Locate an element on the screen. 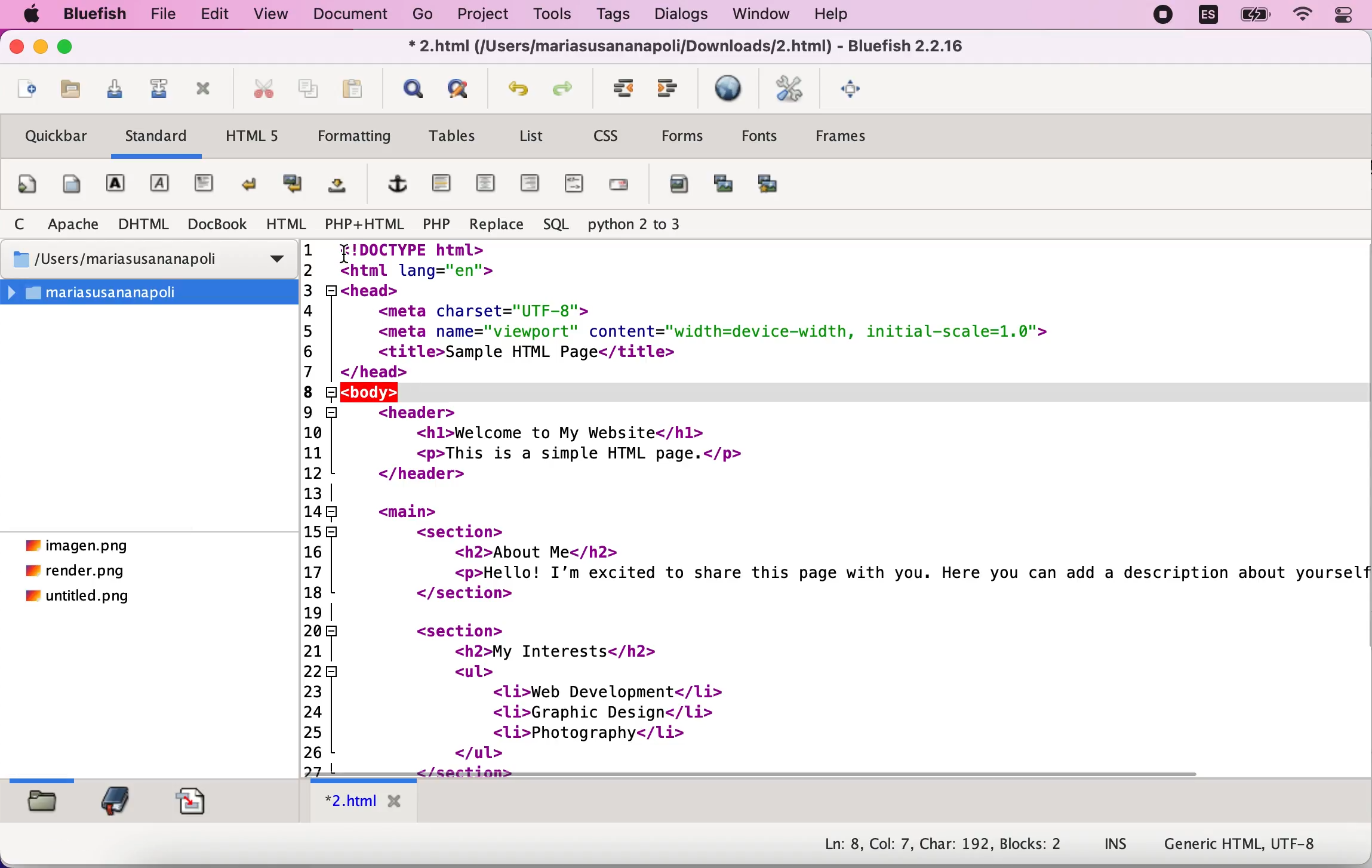  cut is located at coordinates (260, 87).